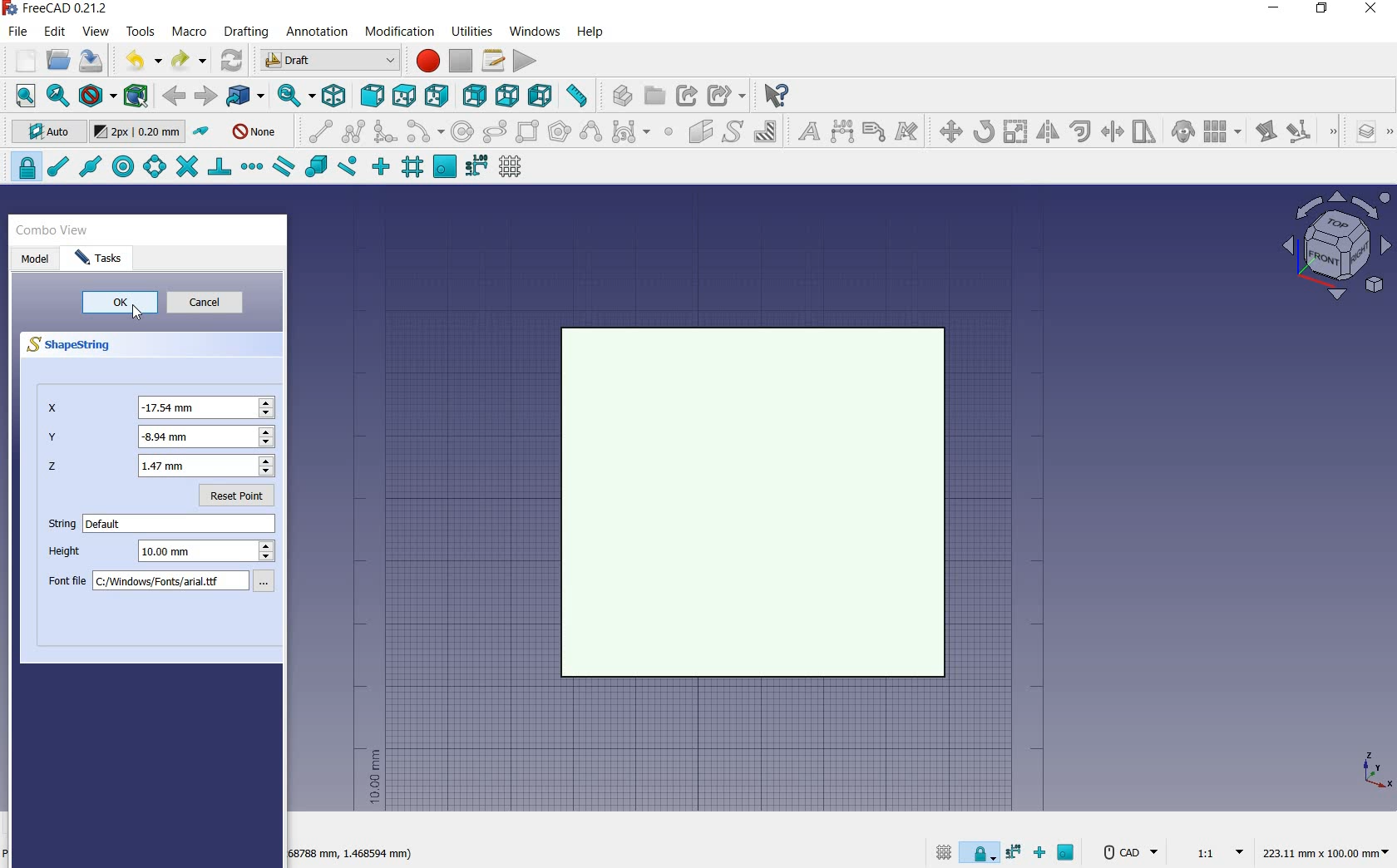 This screenshot has width=1397, height=868. What do you see at coordinates (43, 134) in the screenshot?
I see `current working plane: auto` at bounding box center [43, 134].